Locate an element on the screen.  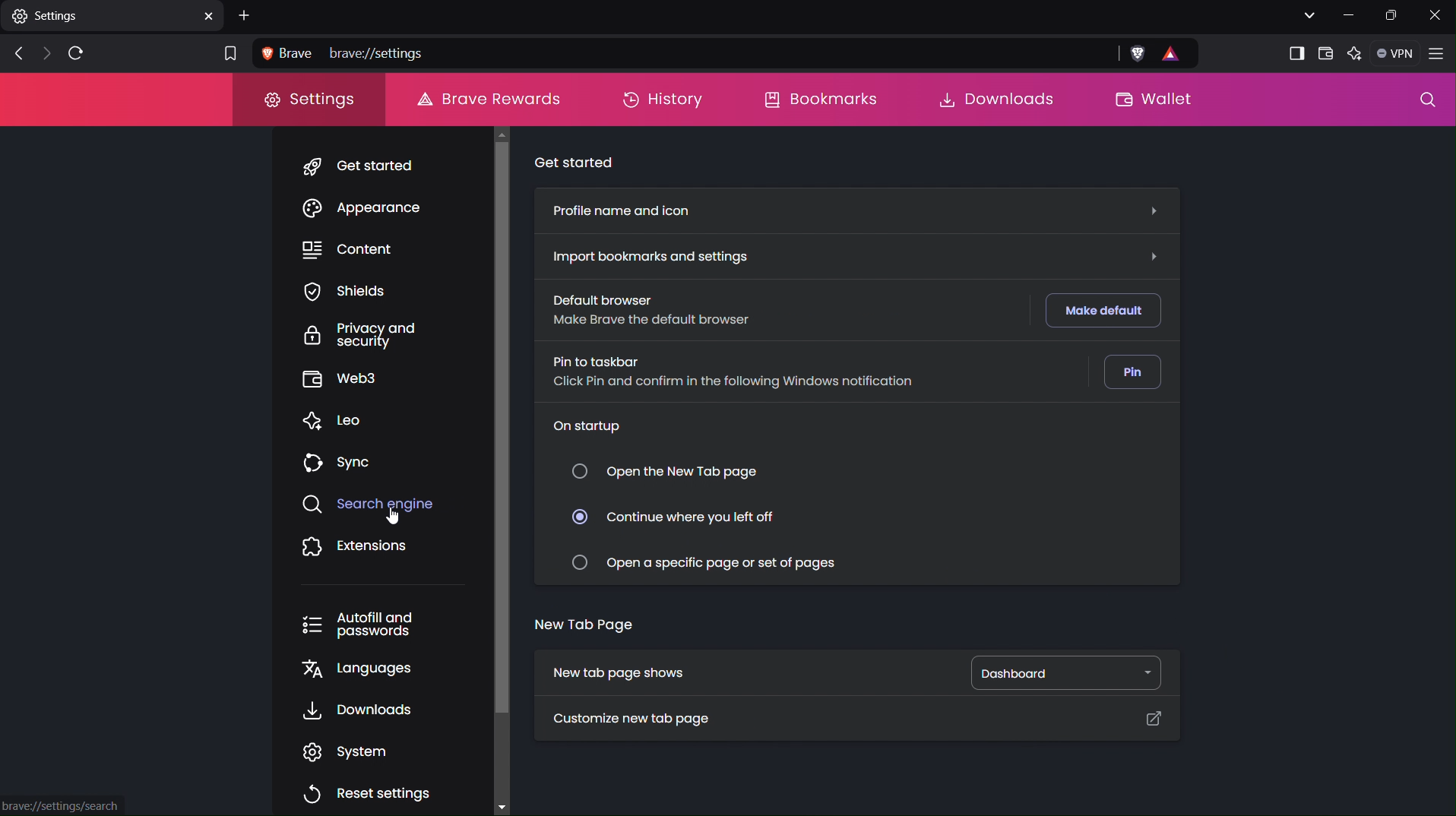
Appearance is located at coordinates (374, 210).